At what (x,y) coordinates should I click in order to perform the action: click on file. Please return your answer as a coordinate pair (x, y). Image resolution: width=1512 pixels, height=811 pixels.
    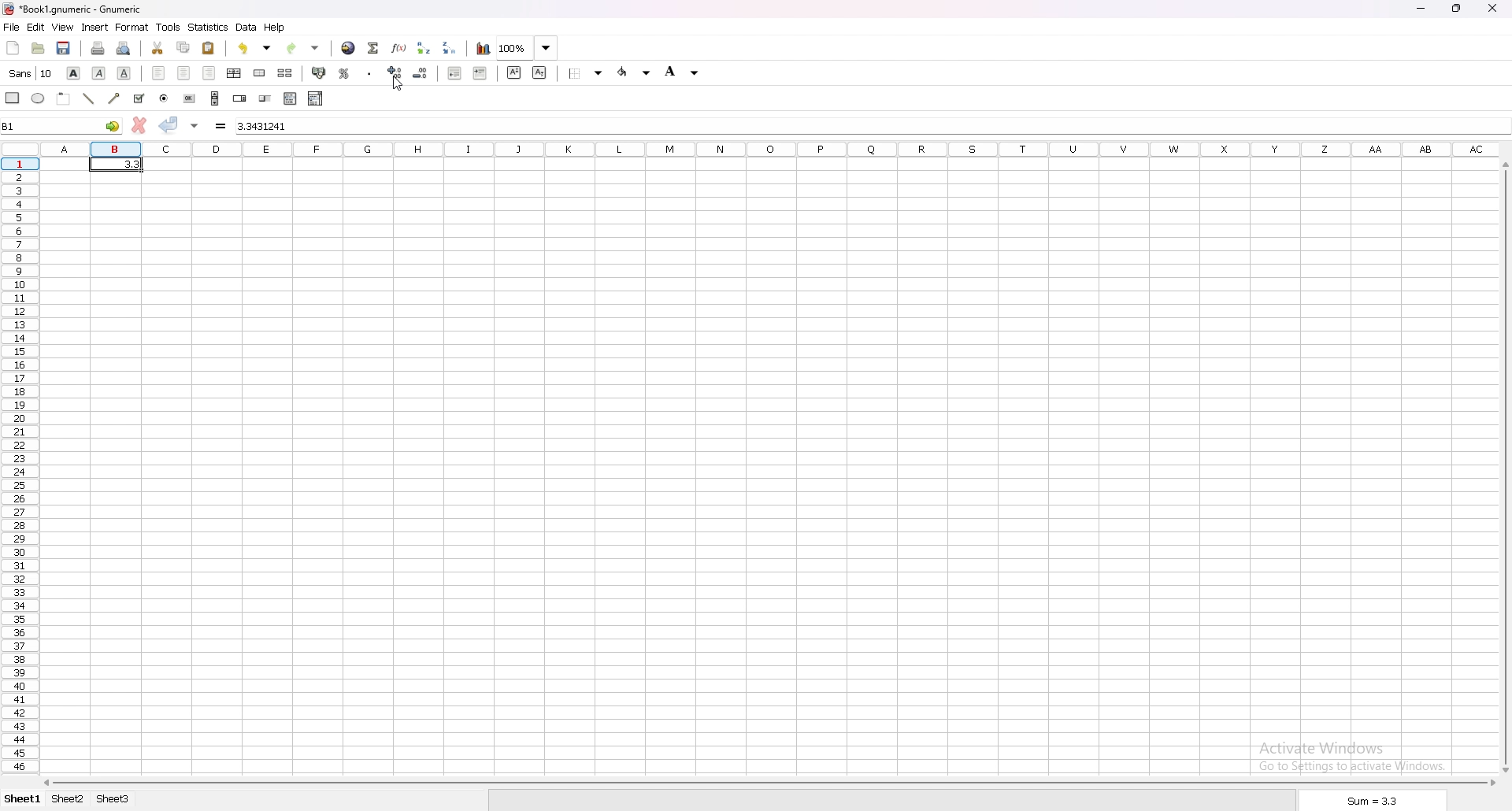
    Looking at the image, I should click on (11, 28).